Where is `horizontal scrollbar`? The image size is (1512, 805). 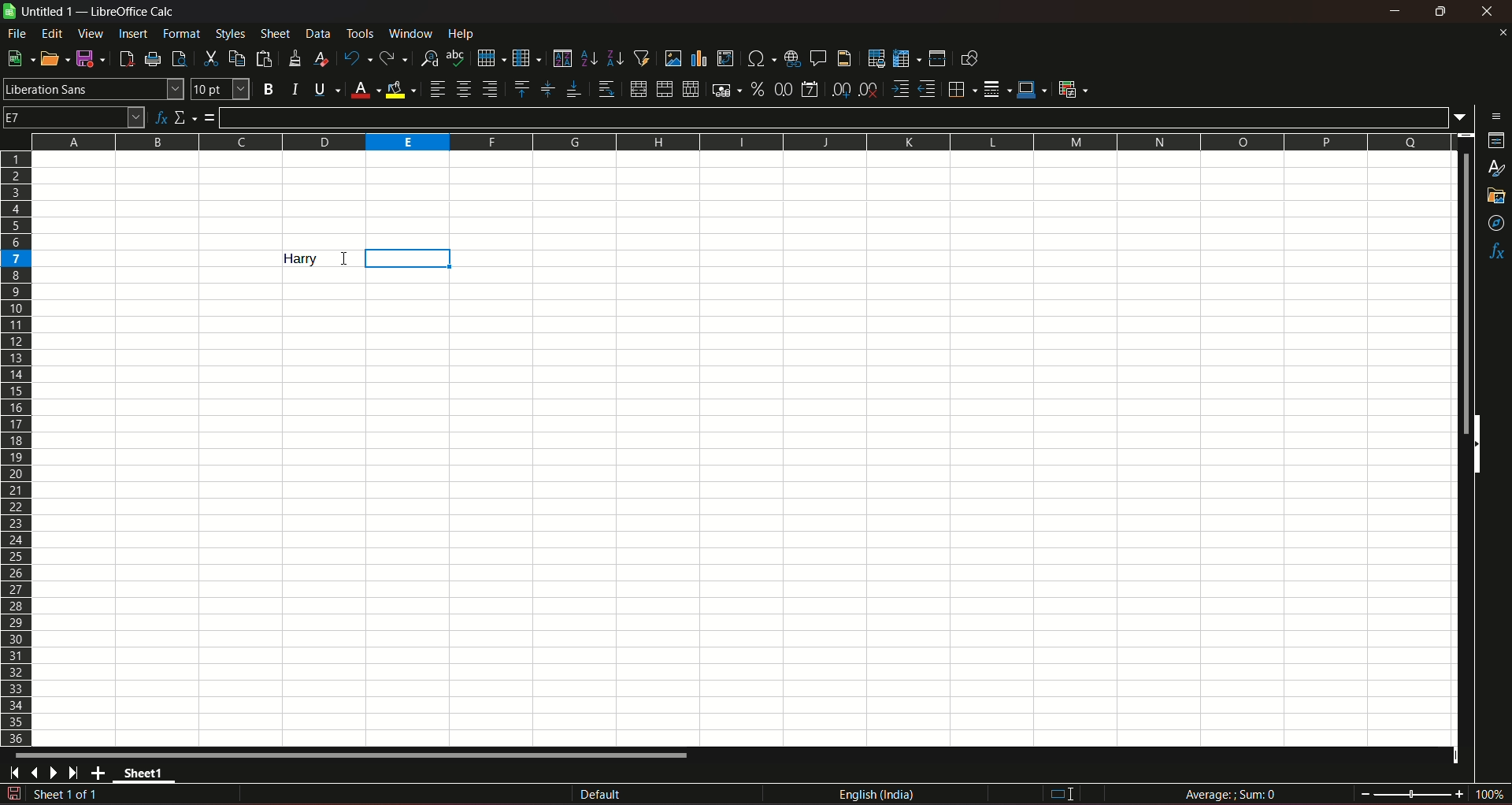
horizontal scrollbar is located at coordinates (353, 755).